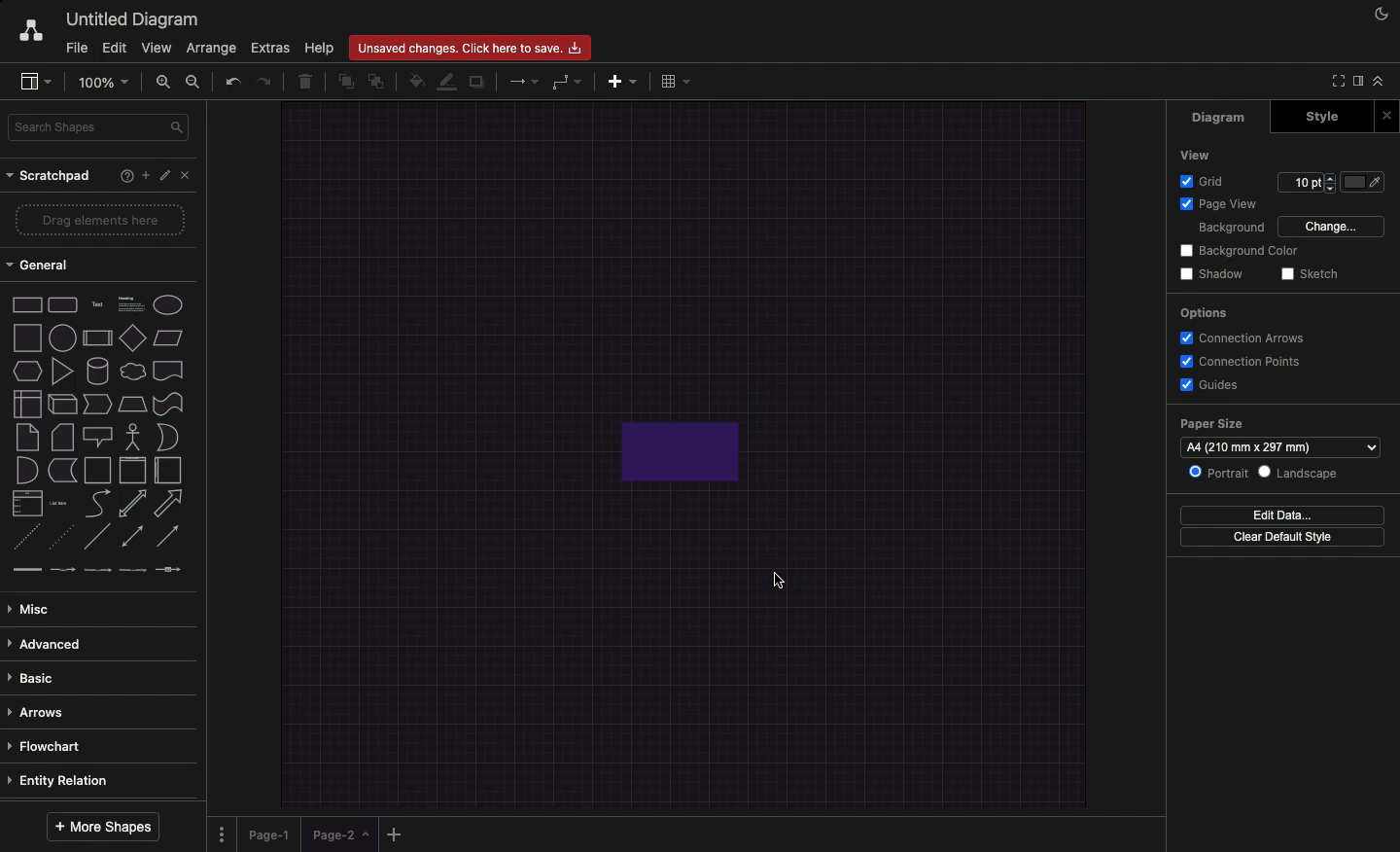 The width and height of the screenshot is (1400, 852). Describe the element at coordinates (96, 303) in the screenshot. I see `text` at that location.